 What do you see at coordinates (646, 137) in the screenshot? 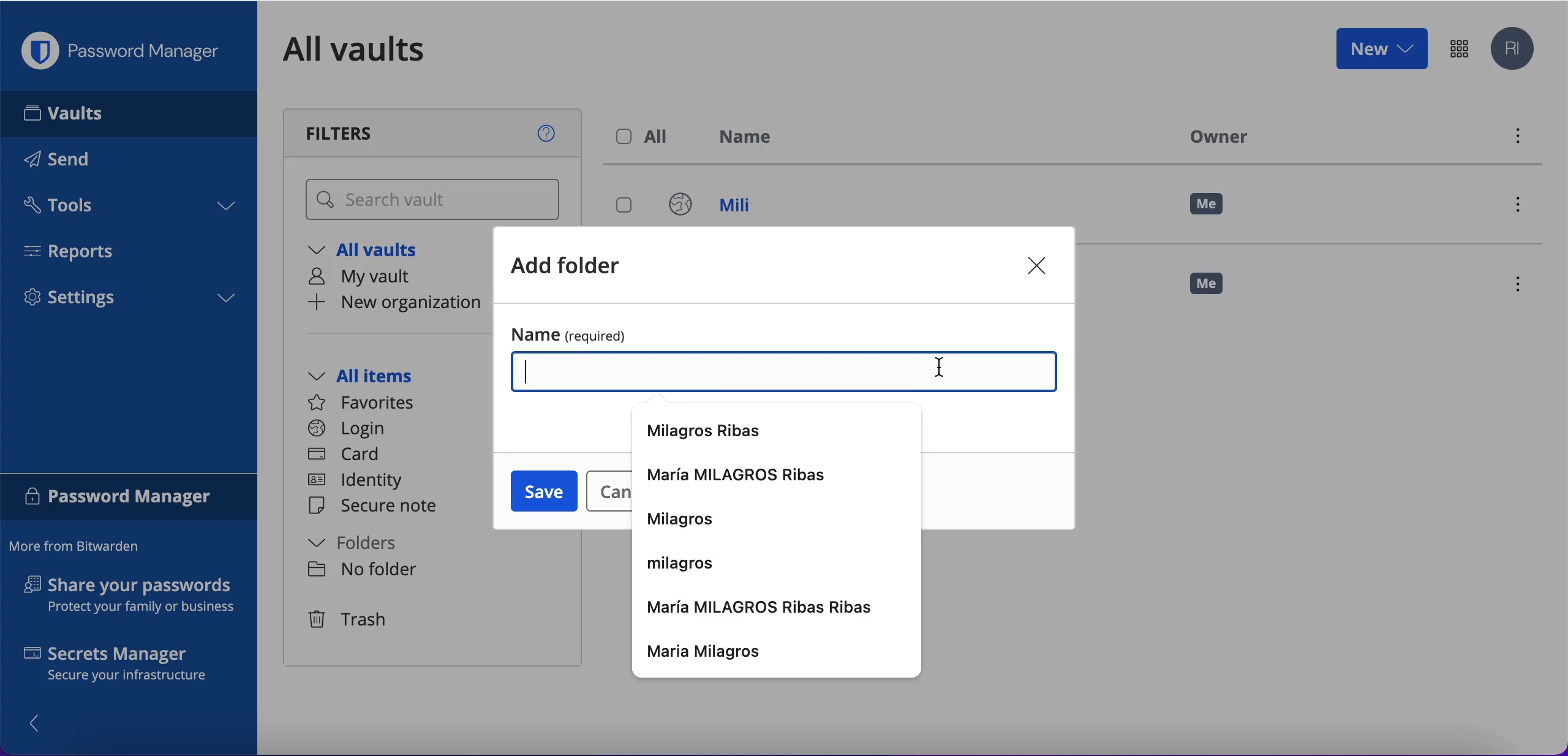
I see `all` at bounding box center [646, 137].